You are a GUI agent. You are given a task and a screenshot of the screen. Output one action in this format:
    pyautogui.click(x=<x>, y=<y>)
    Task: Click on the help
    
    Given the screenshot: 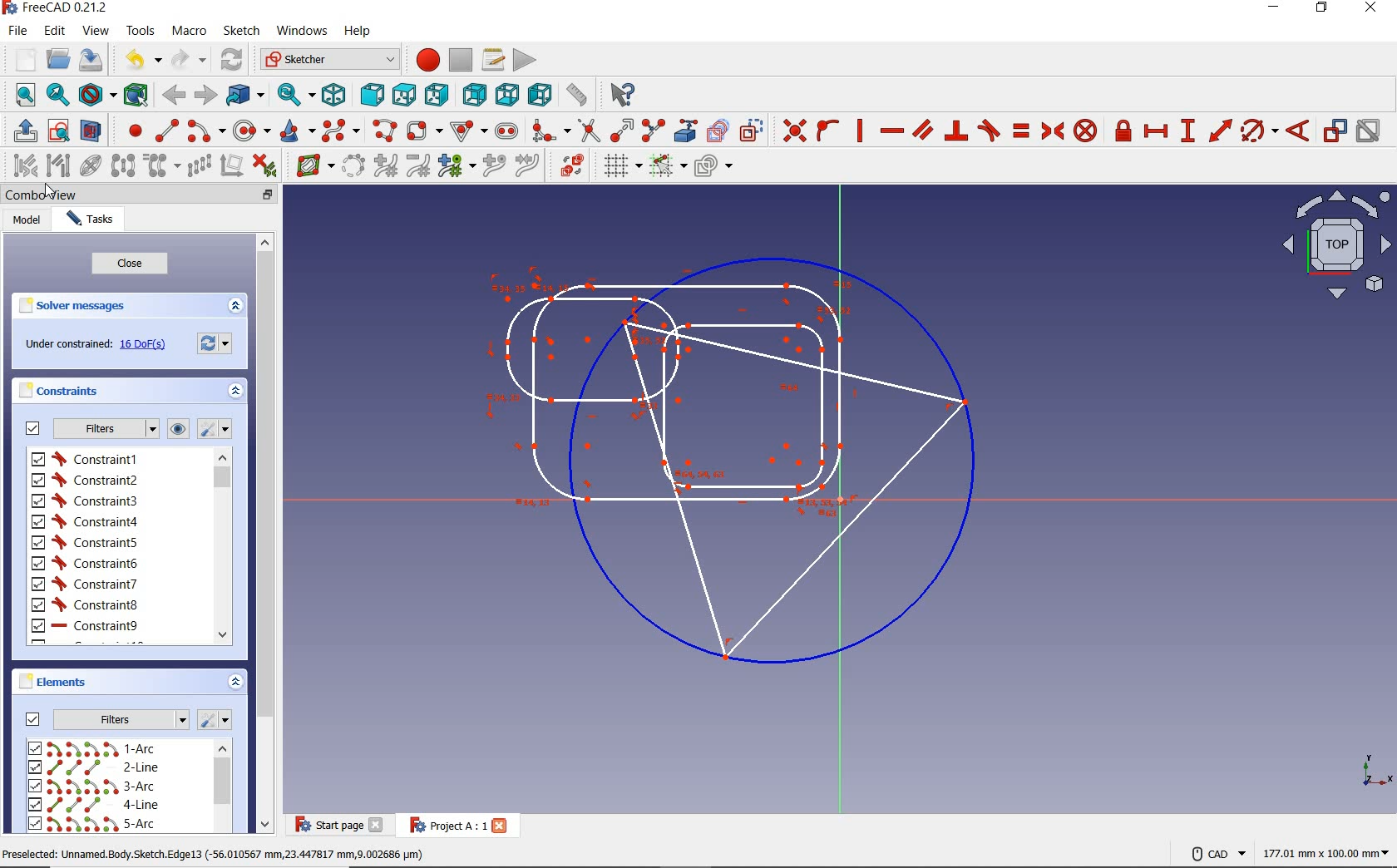 What is the action you would take?
    pyautogui.click(x=359, y=31)
    